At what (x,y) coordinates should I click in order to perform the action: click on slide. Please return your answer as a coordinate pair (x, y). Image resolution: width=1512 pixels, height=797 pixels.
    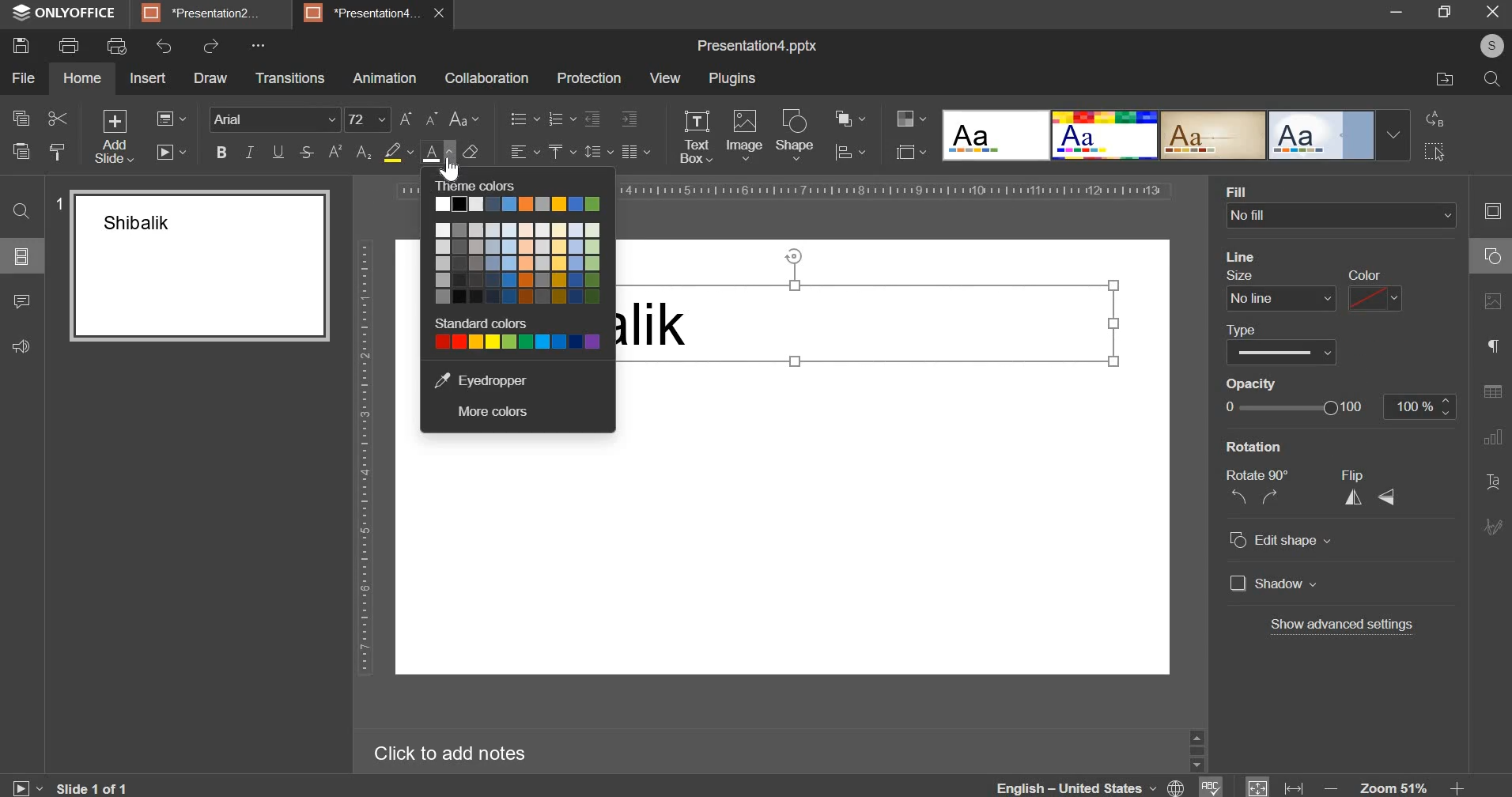
    Looking at the image, I should click on (1490, 213).